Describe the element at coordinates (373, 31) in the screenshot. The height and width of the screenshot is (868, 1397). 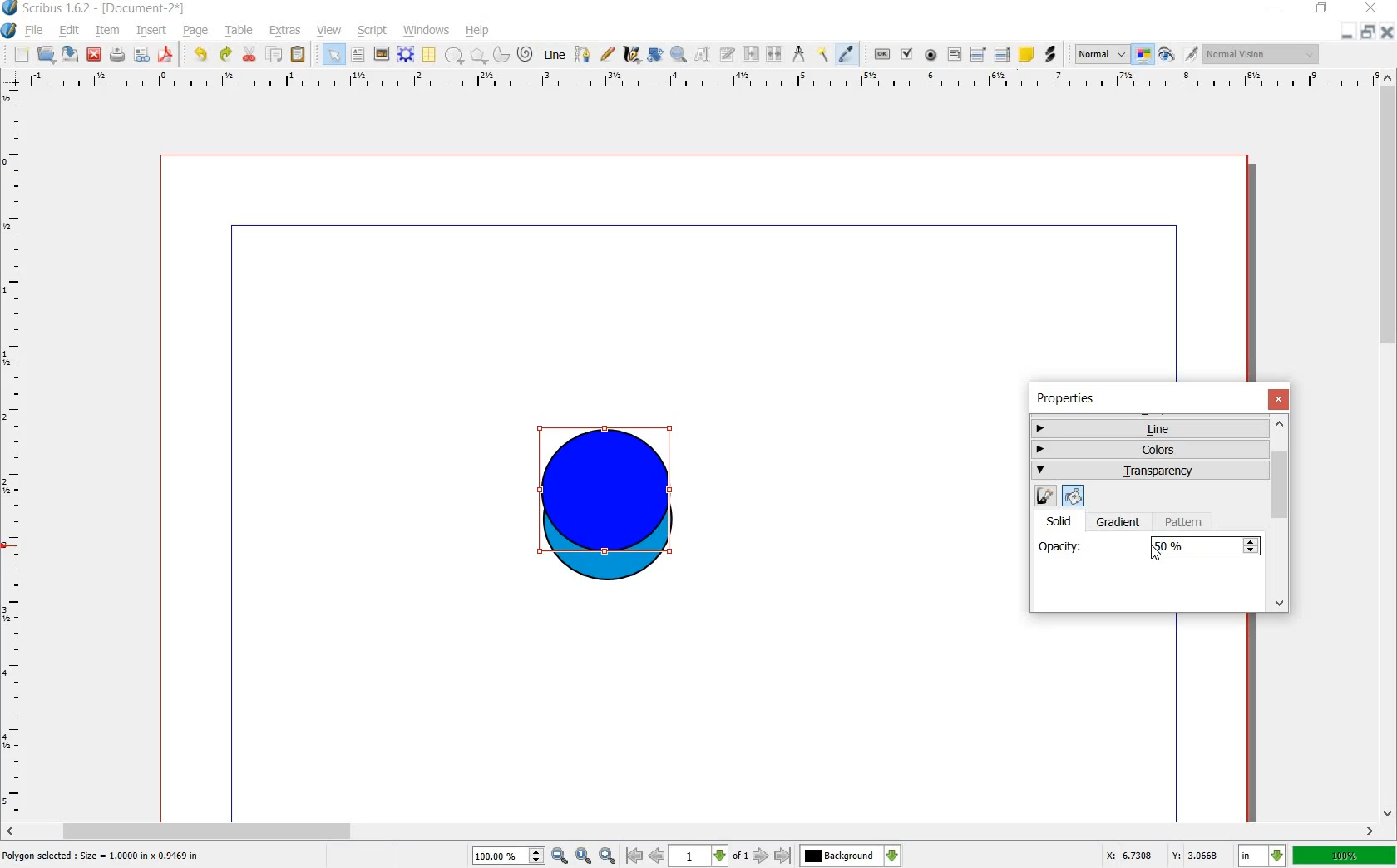
I see `script` at that location.